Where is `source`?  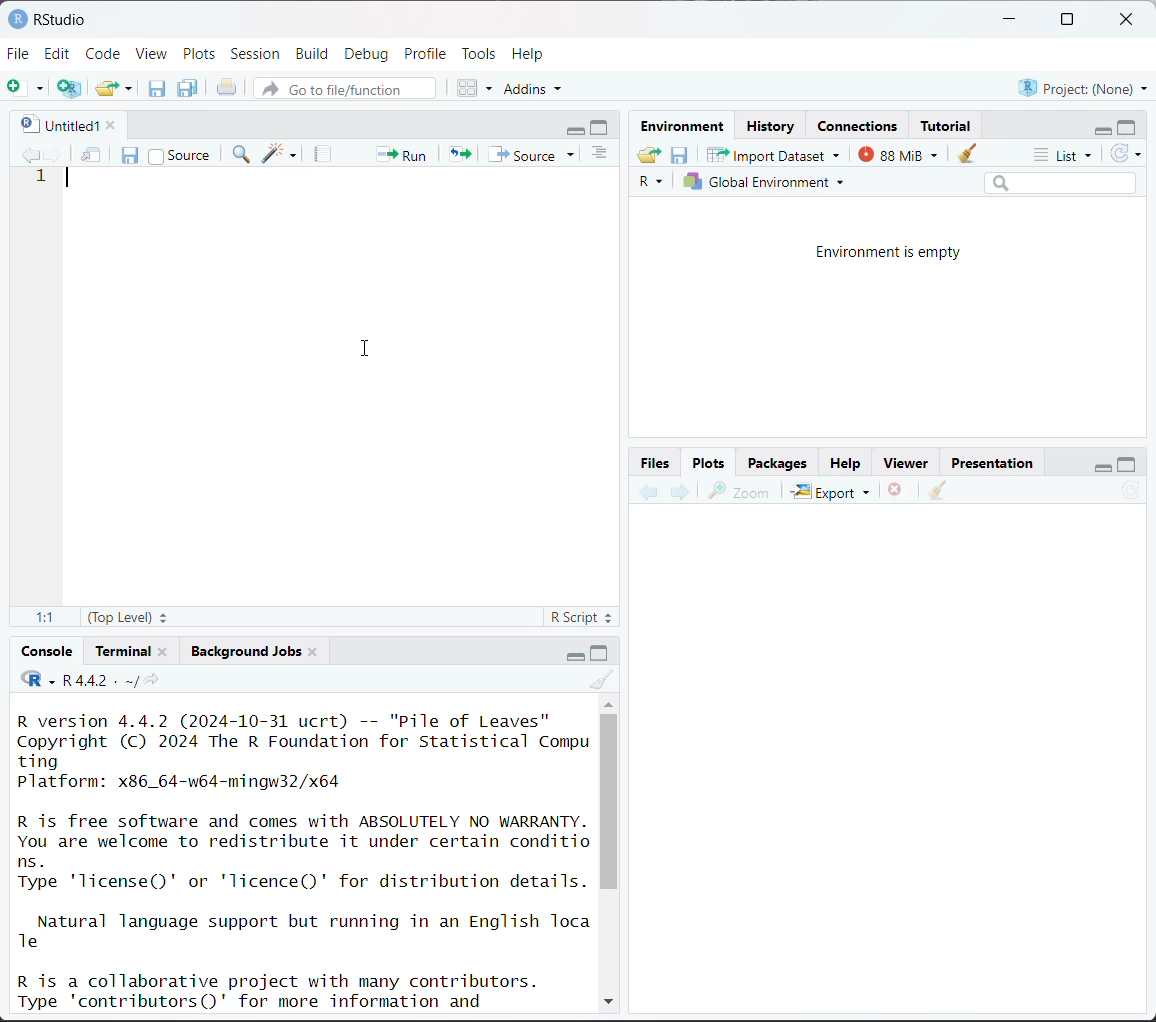 source is located at coordinates (535, 154).